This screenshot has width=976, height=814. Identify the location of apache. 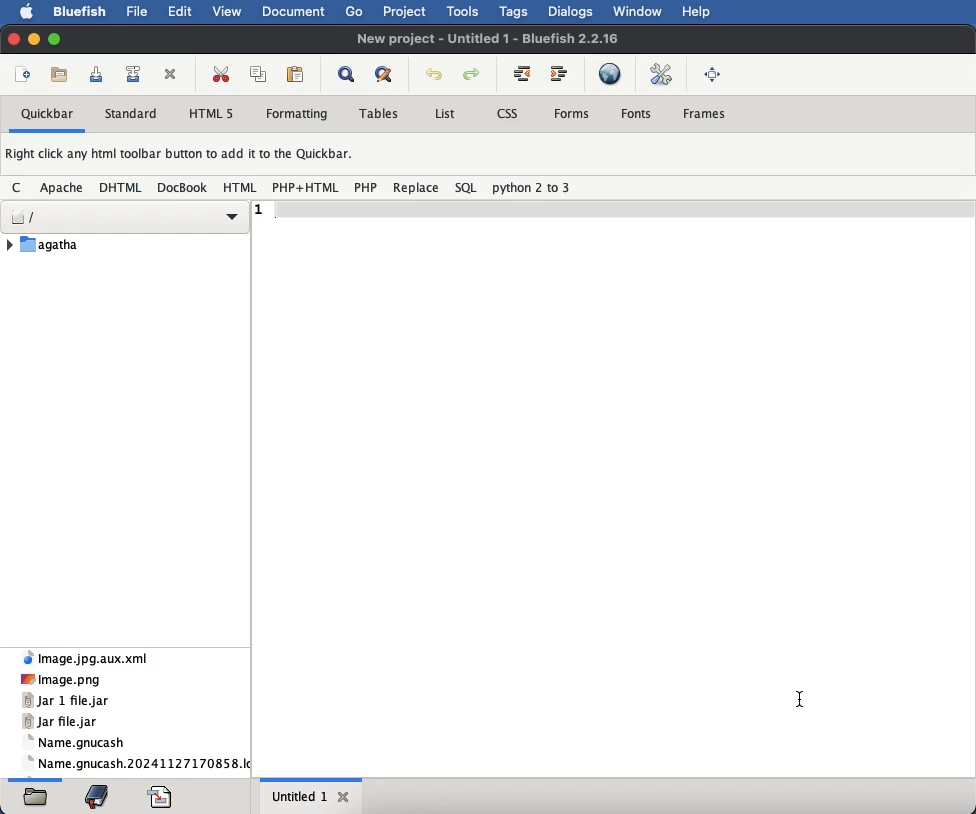
(64, 186).